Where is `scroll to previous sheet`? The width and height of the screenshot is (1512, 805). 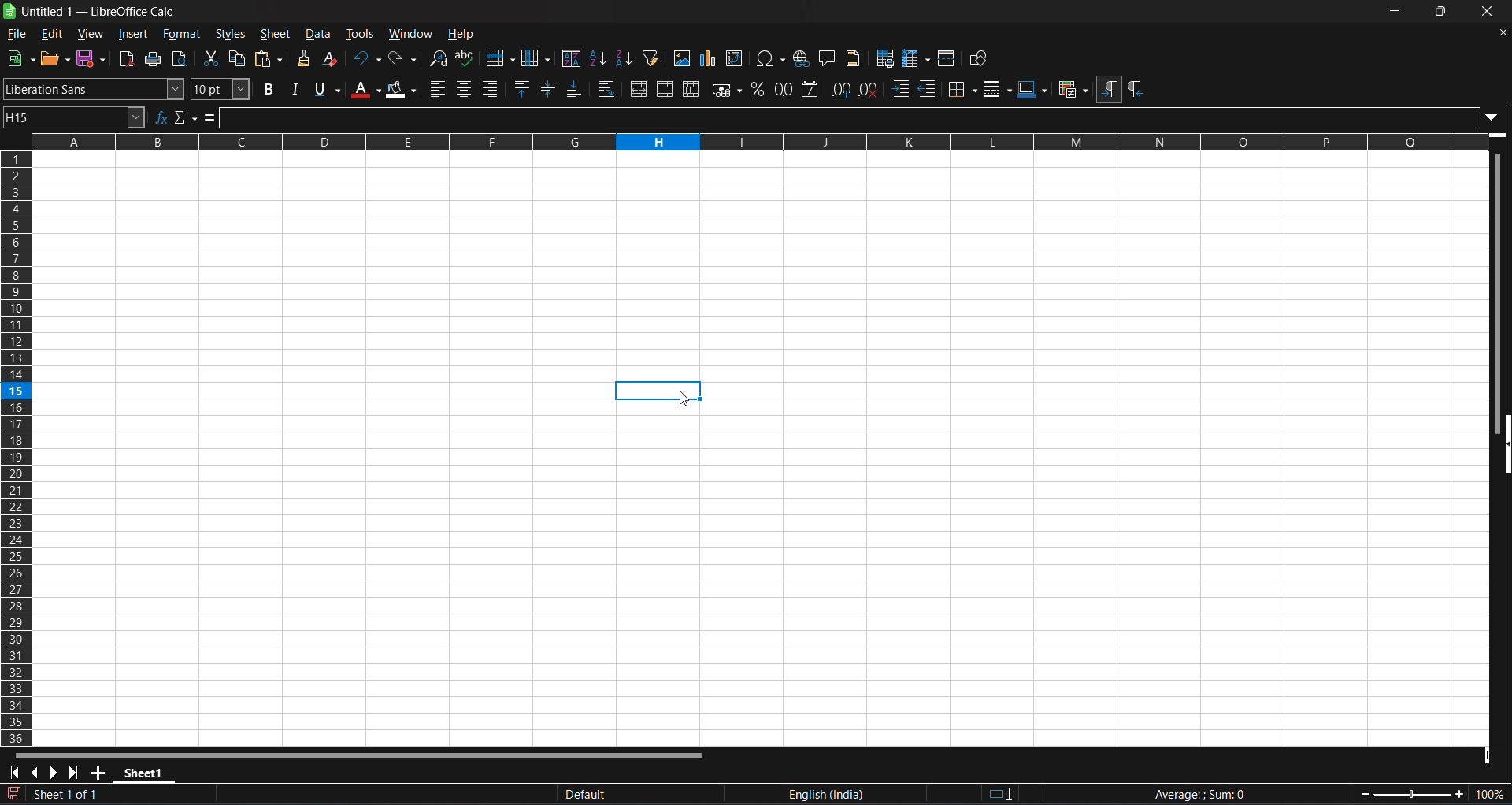
scroll to previous sheet is located at coordinates (38, 773).